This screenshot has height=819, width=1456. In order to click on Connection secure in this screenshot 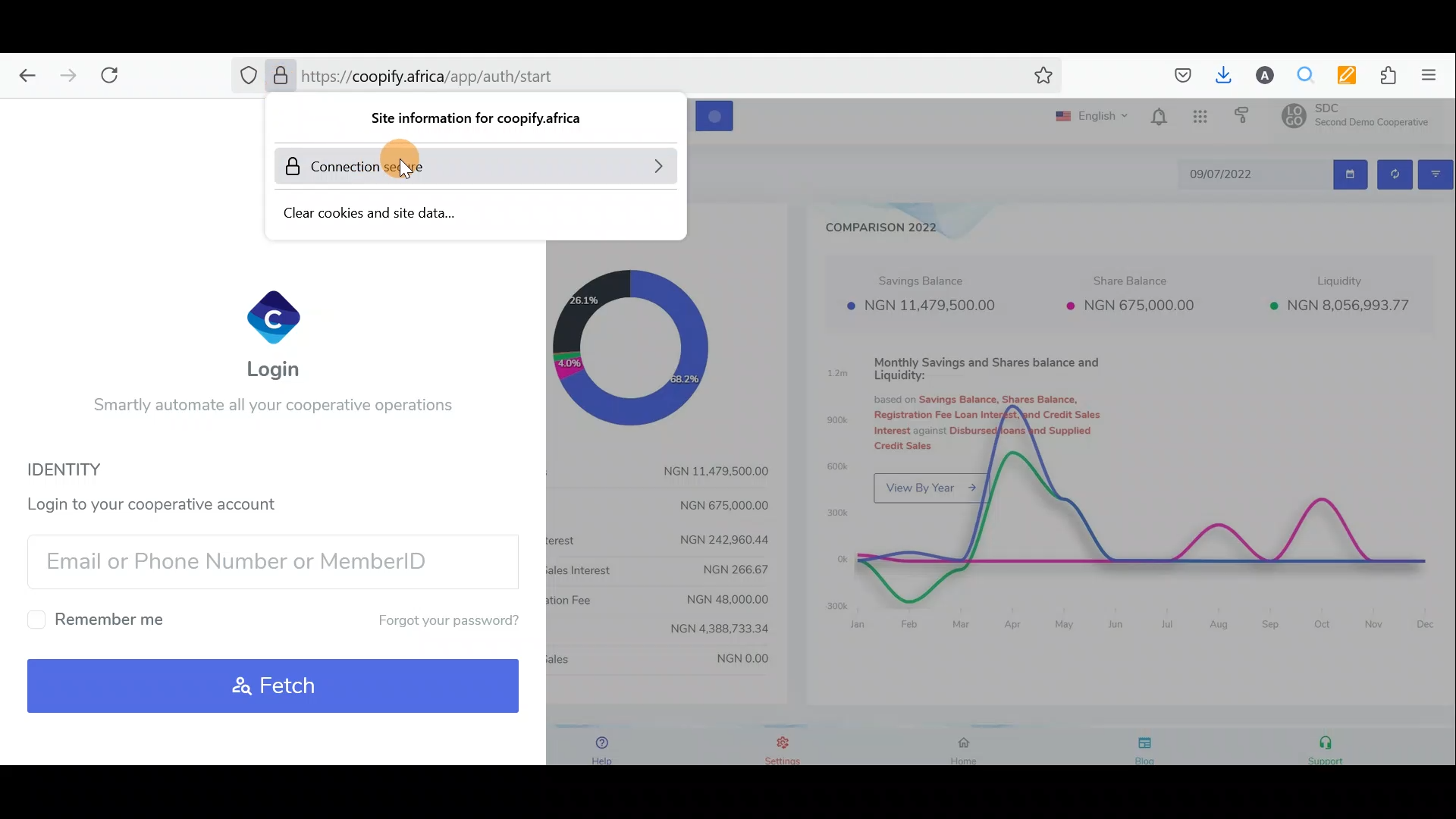, I will do `click(476, 166)`.